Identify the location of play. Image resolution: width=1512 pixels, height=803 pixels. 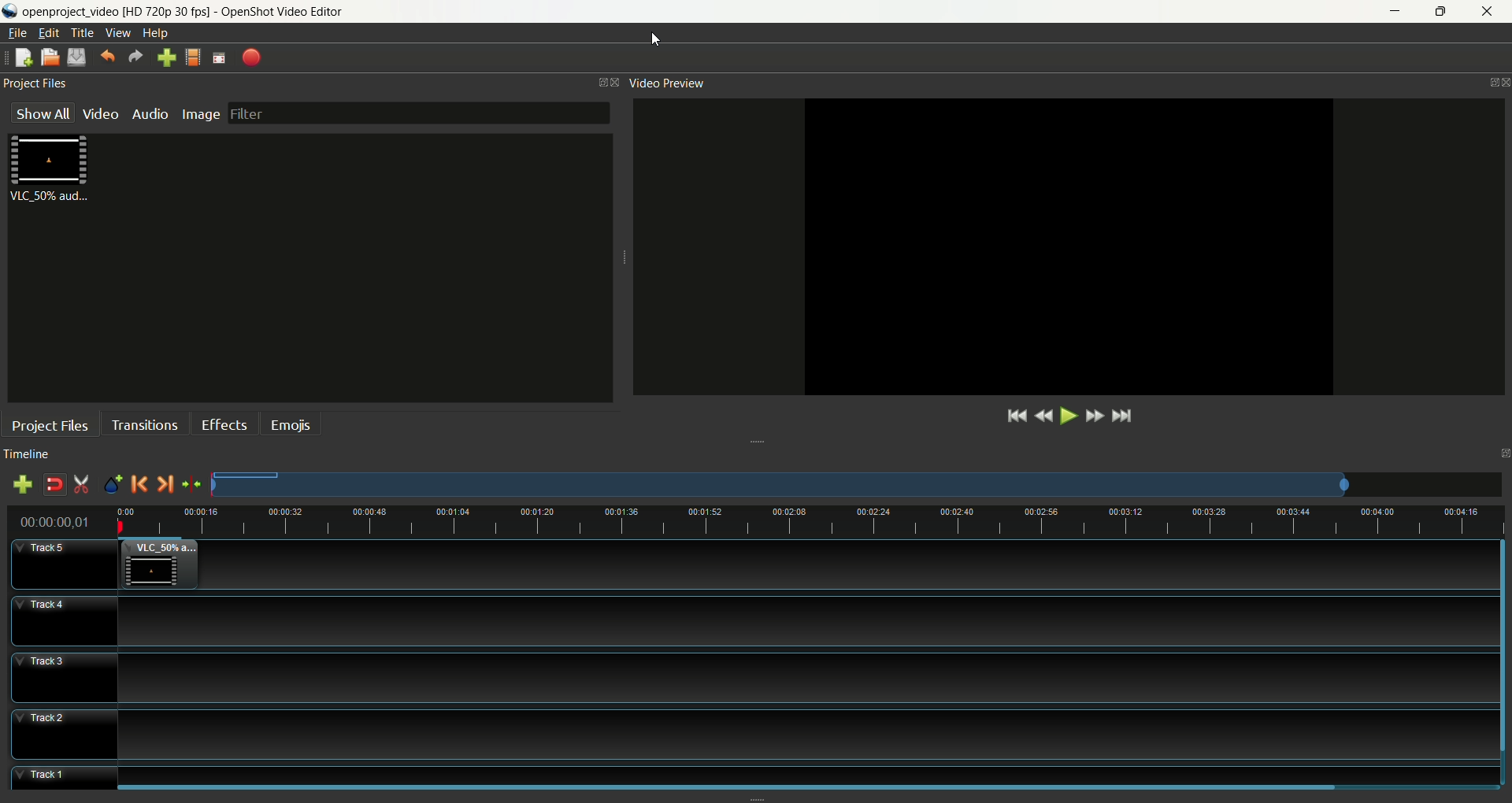
(1065, 417).